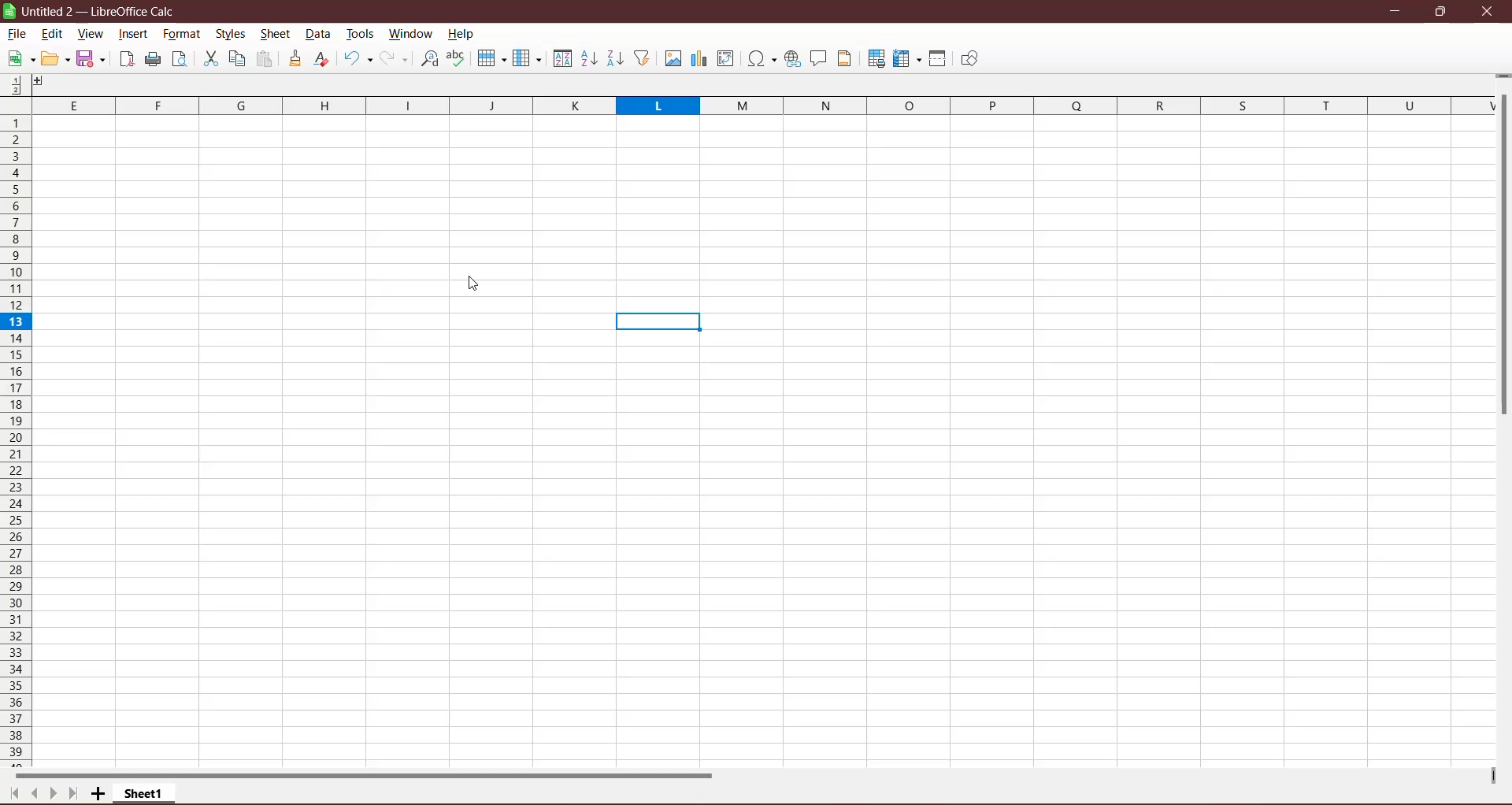  I want to click on Rows, so click(14, 441).